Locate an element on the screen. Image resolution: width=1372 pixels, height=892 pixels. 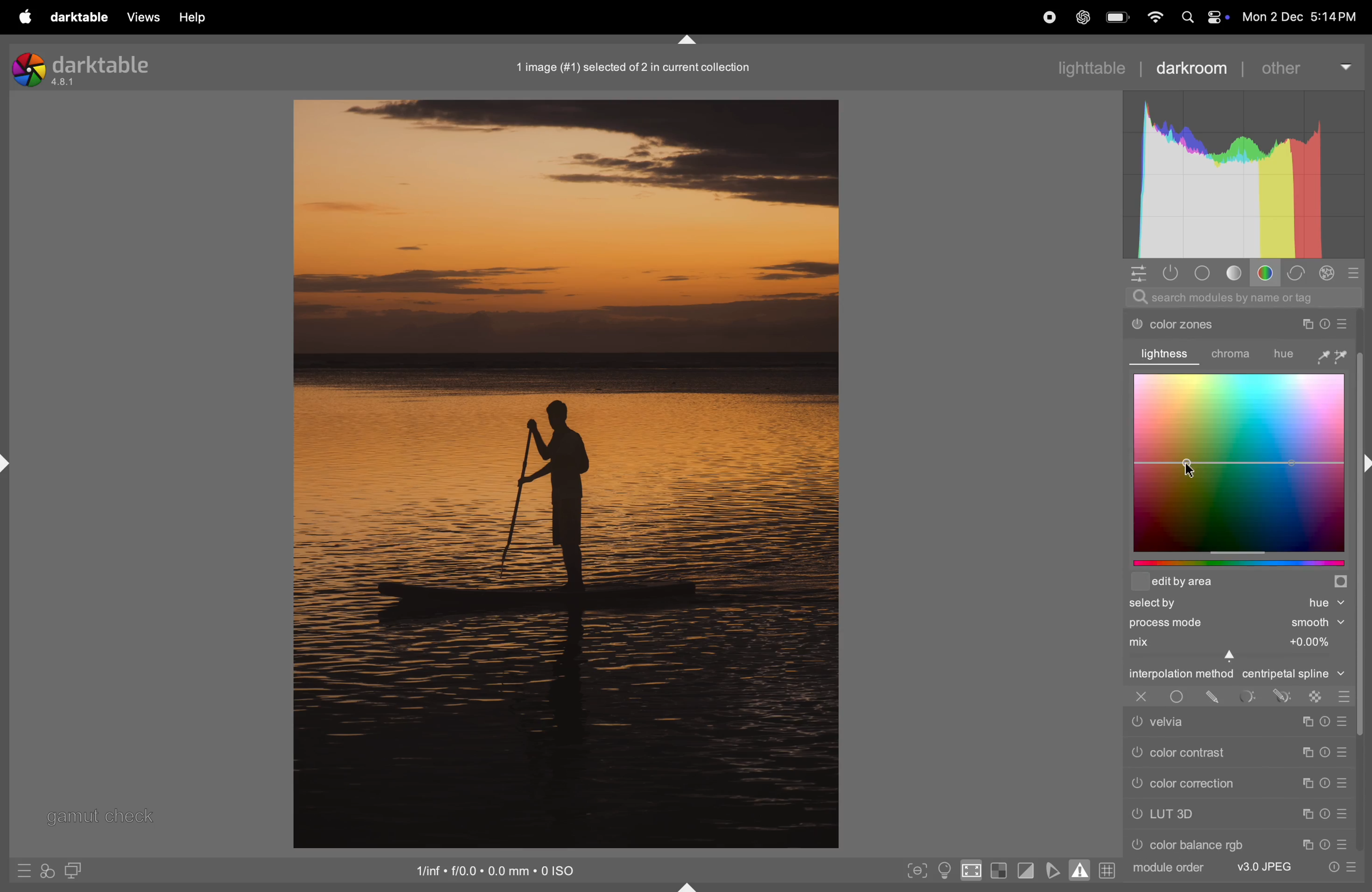
wifi is located at coordinates (1156, 17).